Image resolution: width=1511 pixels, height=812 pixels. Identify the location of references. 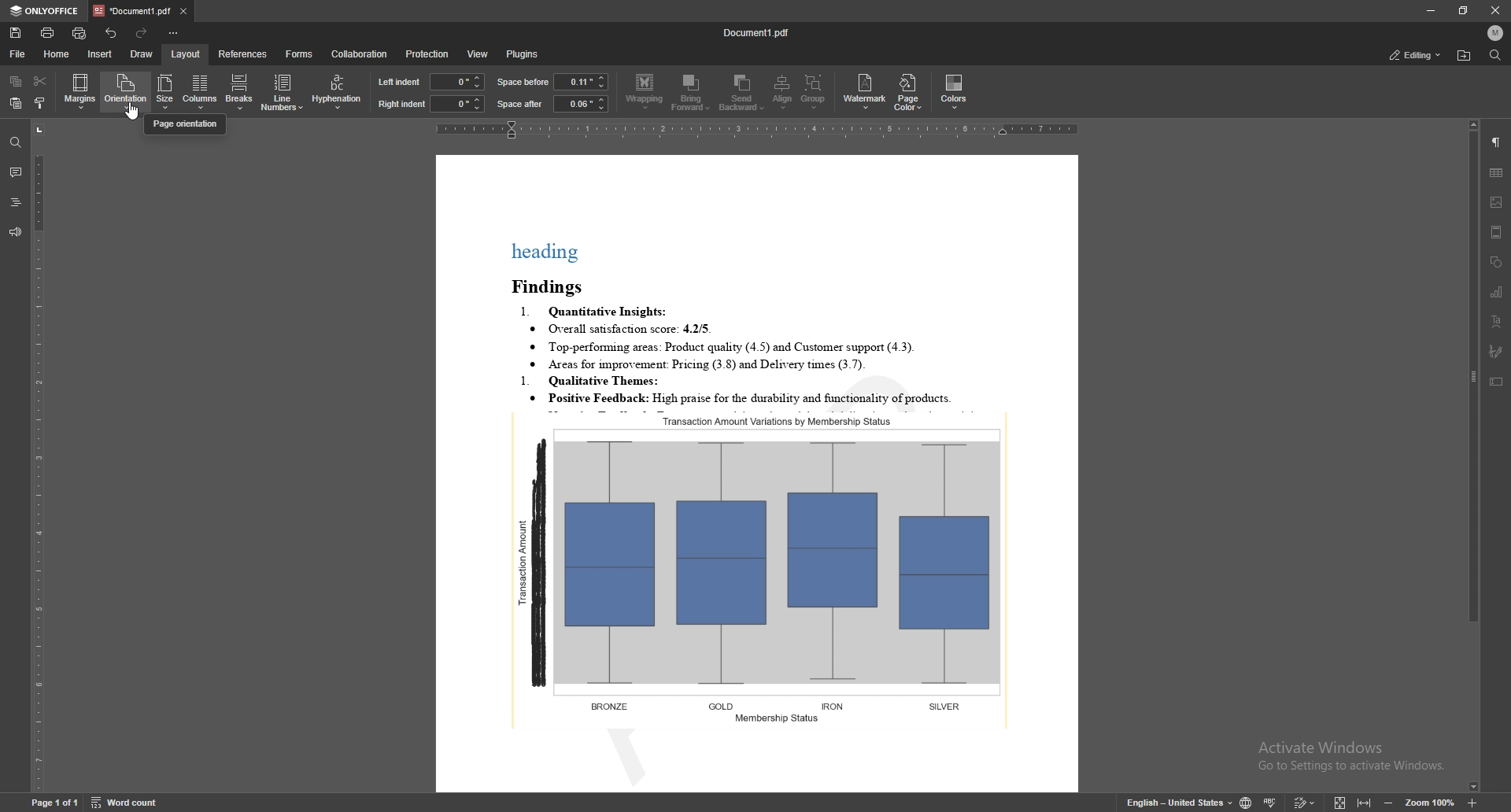
(244, 54).